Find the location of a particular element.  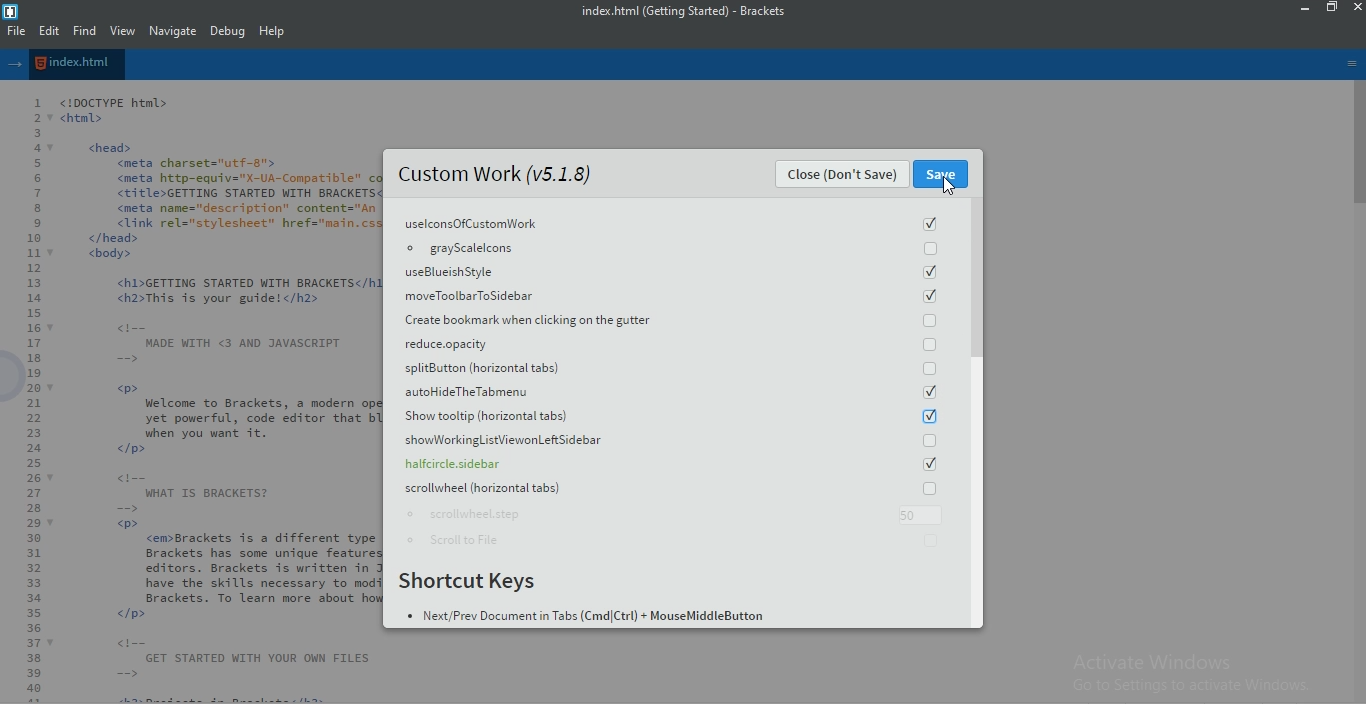

uselconsOfCustomWork is located at coordinates (672, 221).